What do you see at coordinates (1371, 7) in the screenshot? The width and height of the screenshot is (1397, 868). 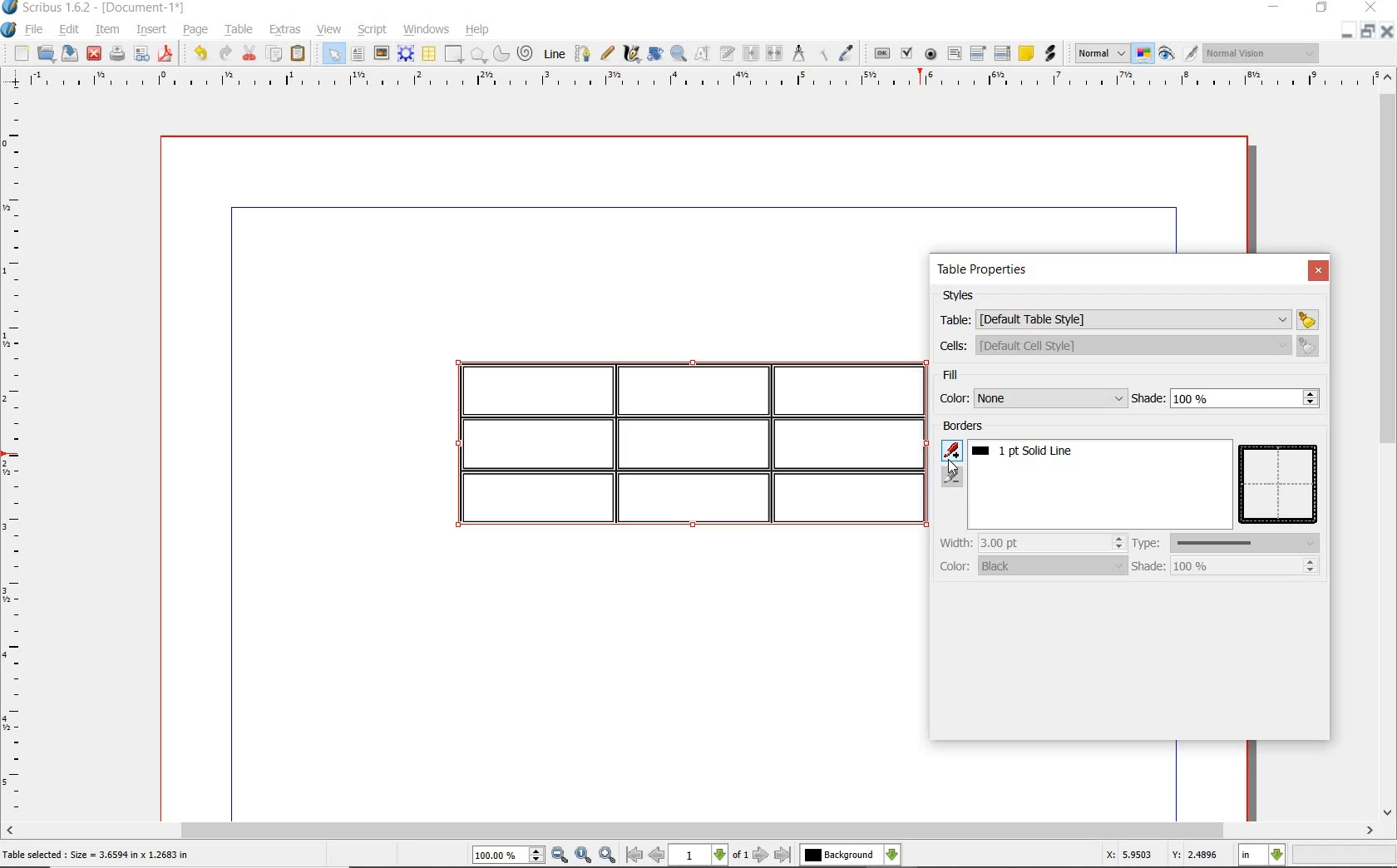 I see `CLOSE` at bounding box center [1371, 7].